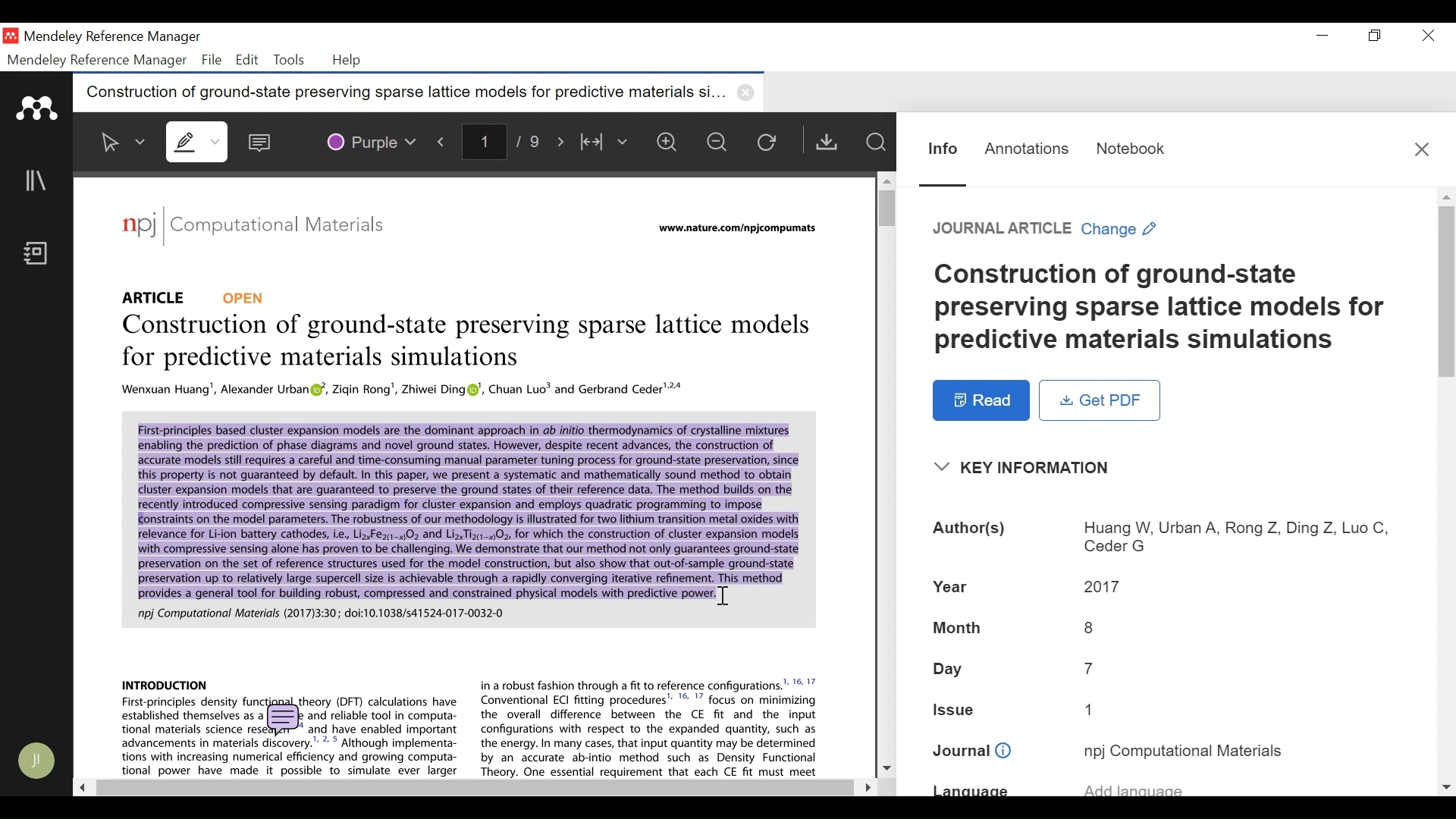  I want to click on Journal, so click(1184, 750).